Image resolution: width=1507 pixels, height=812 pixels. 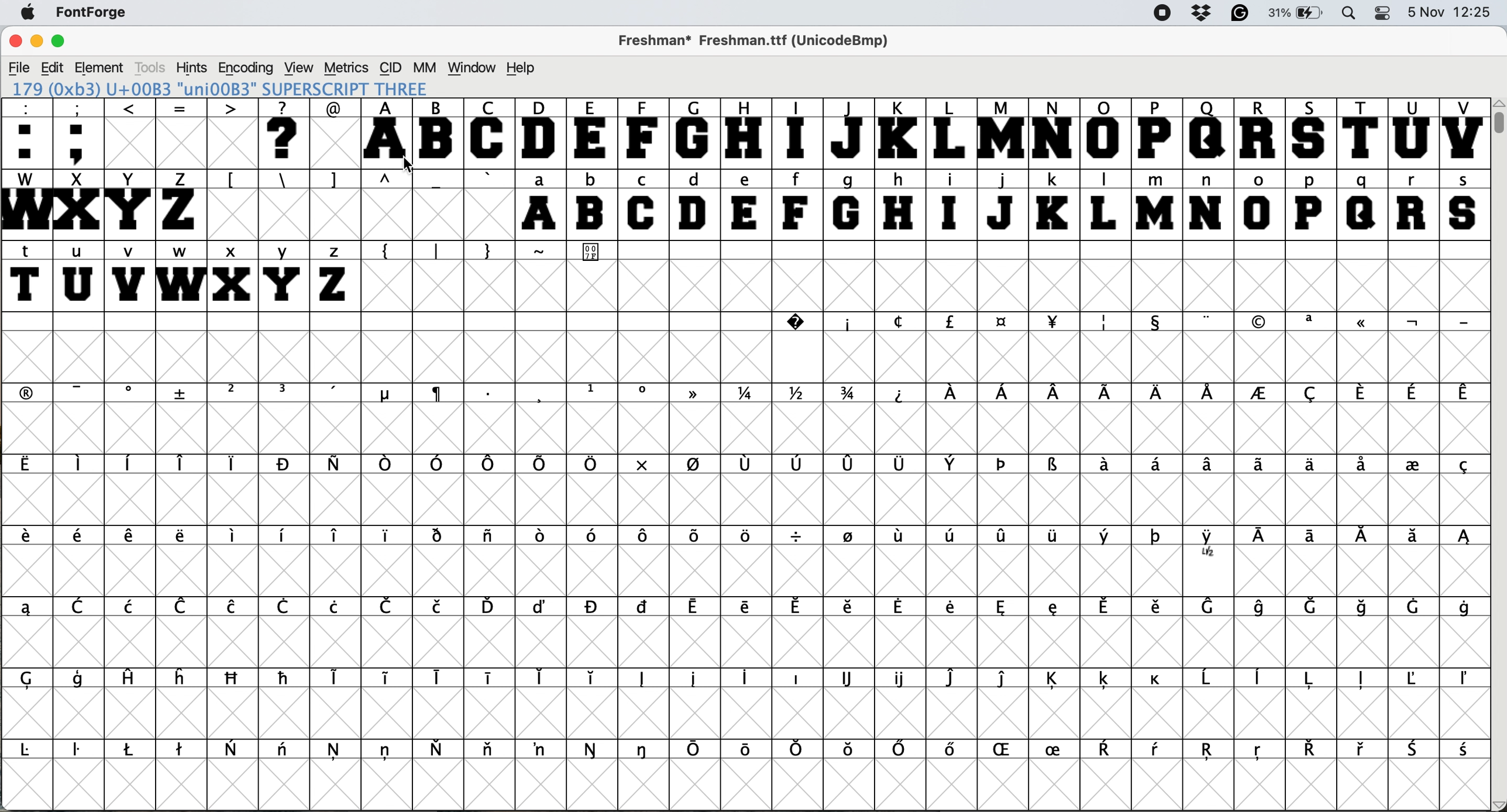 What do you see at coordinates (803, 394) in the screenshot?
I see `1/2` at bounding box center [803, 394].